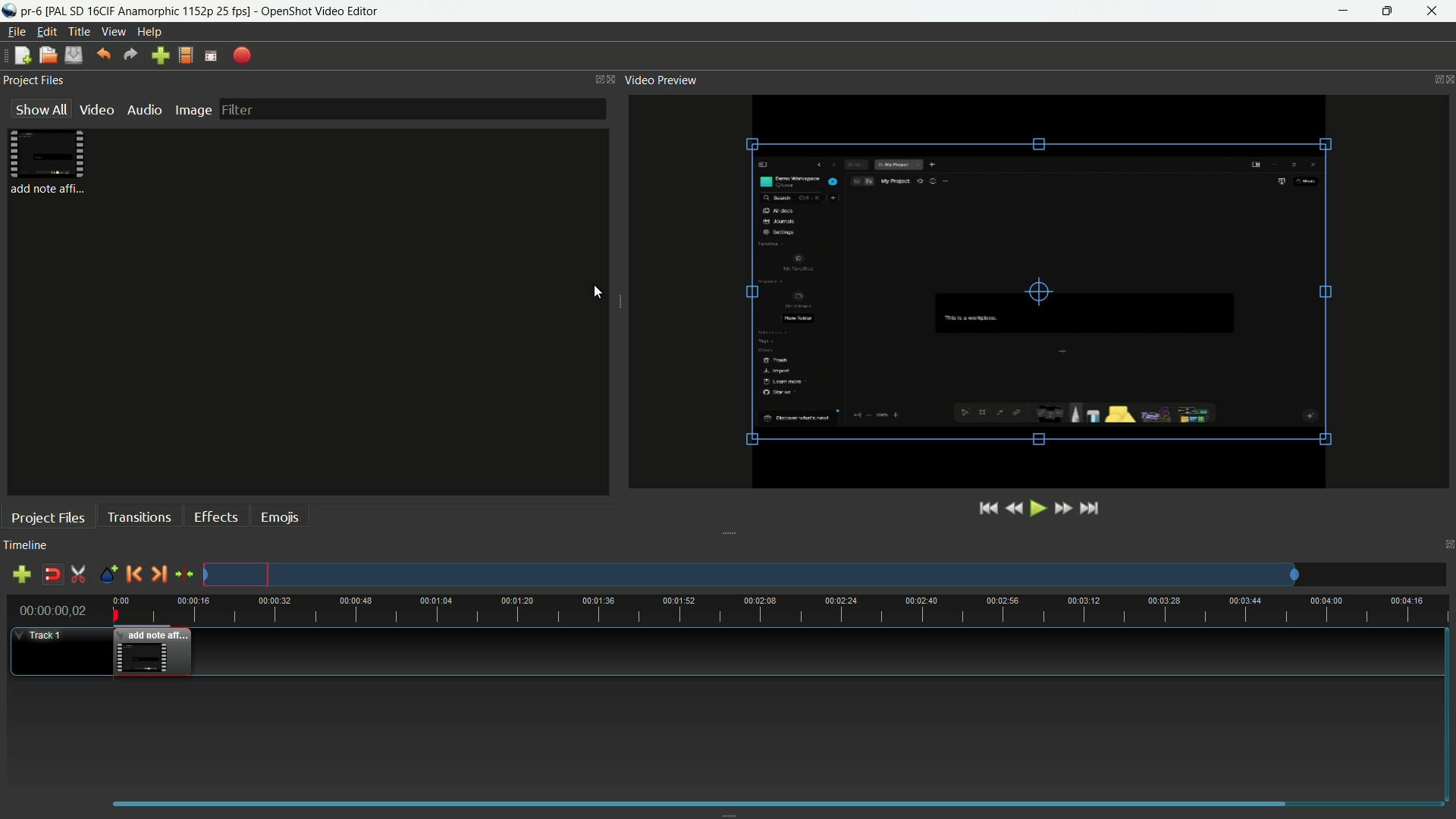  I want to click on new file, so click(21, 55).